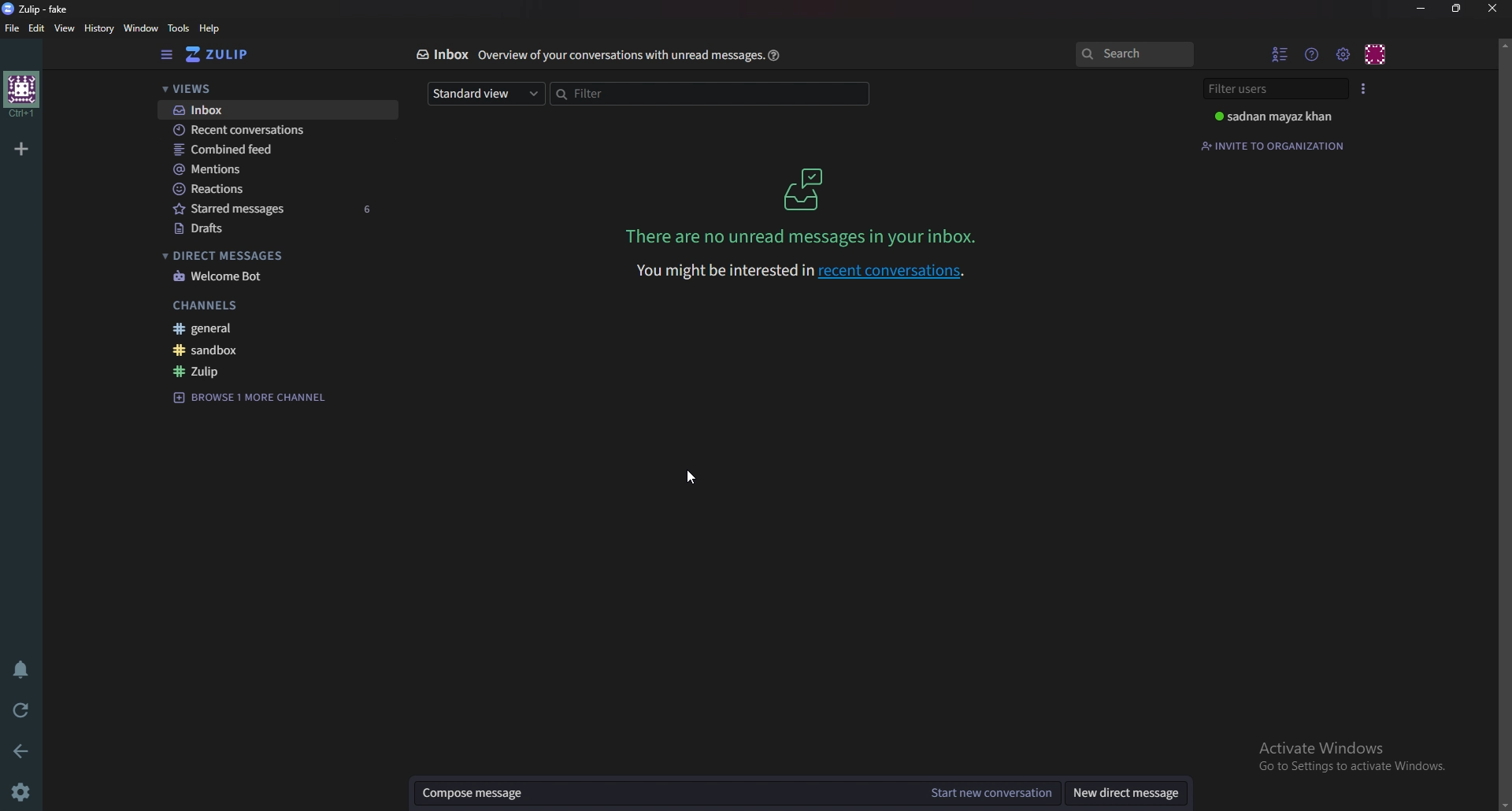  I want to click on You might be interested in recent conversations., so click(806, 271).